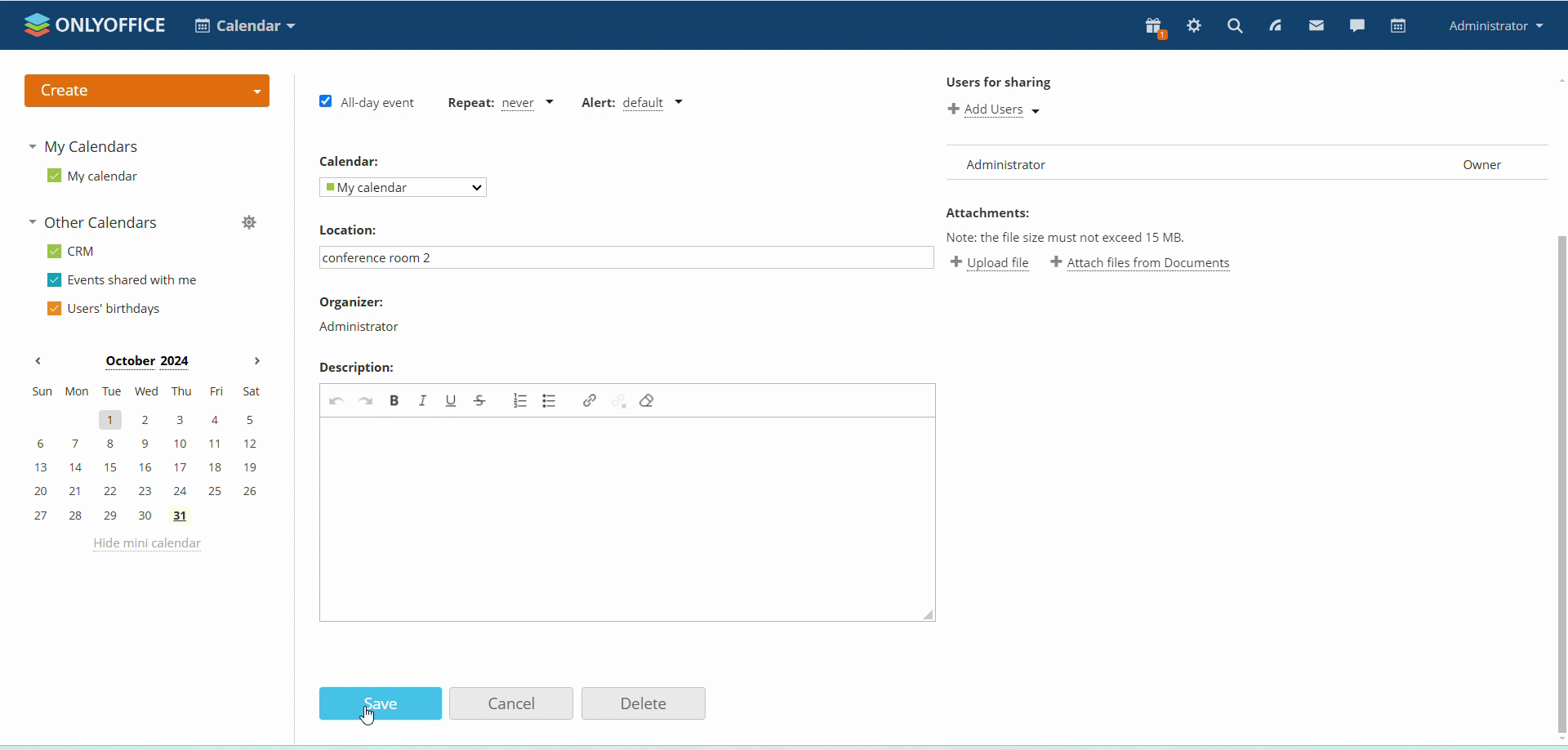  What do you see at coordinates (1558, 83) in the screenshot?
I see `scroll up` at bounding box center [1558, 83].